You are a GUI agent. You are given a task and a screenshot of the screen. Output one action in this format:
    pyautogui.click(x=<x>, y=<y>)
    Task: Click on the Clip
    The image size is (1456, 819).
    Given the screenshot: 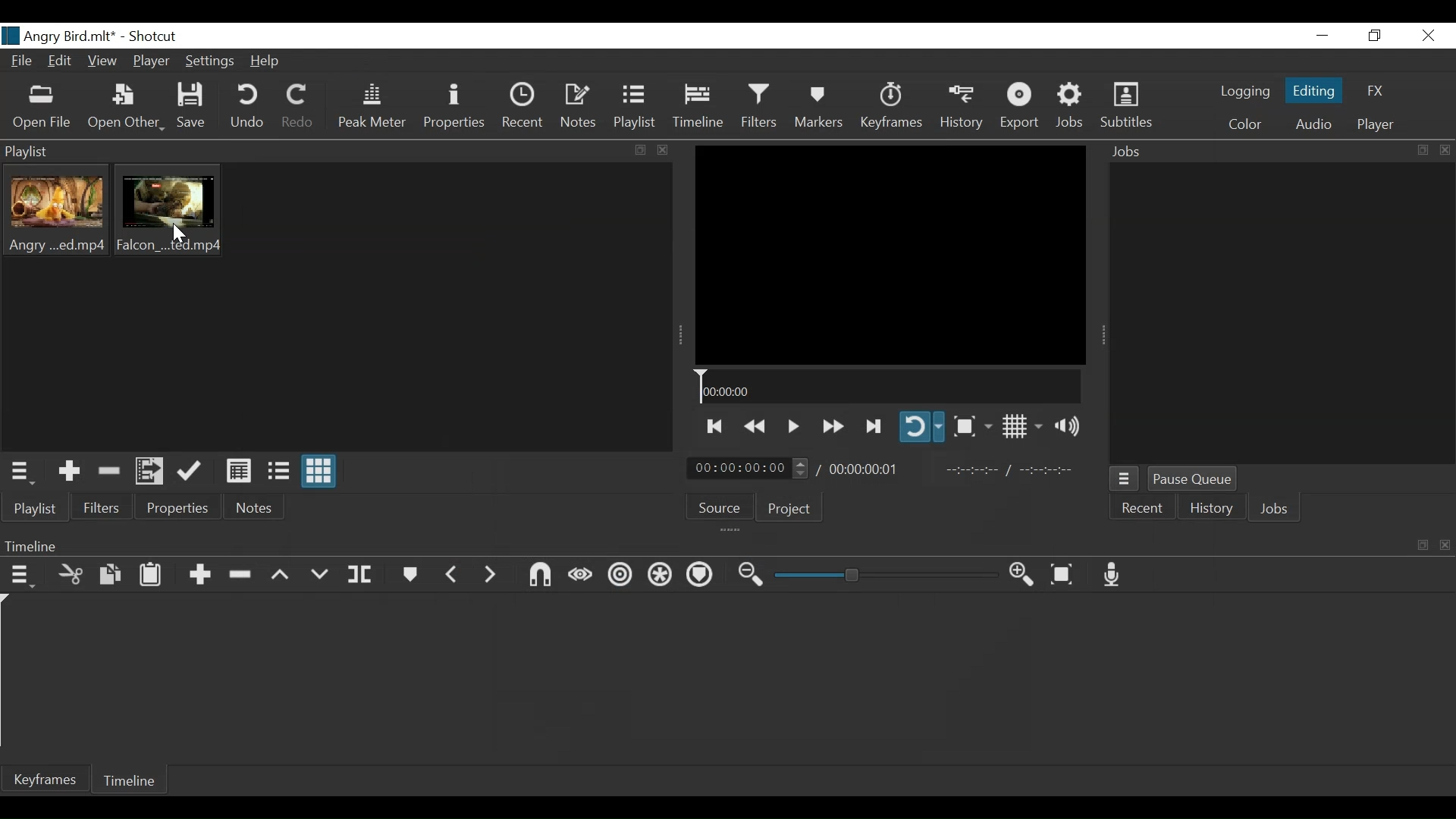 What is the action you would take?
    pyautogui.click(x=57, y=212)
    